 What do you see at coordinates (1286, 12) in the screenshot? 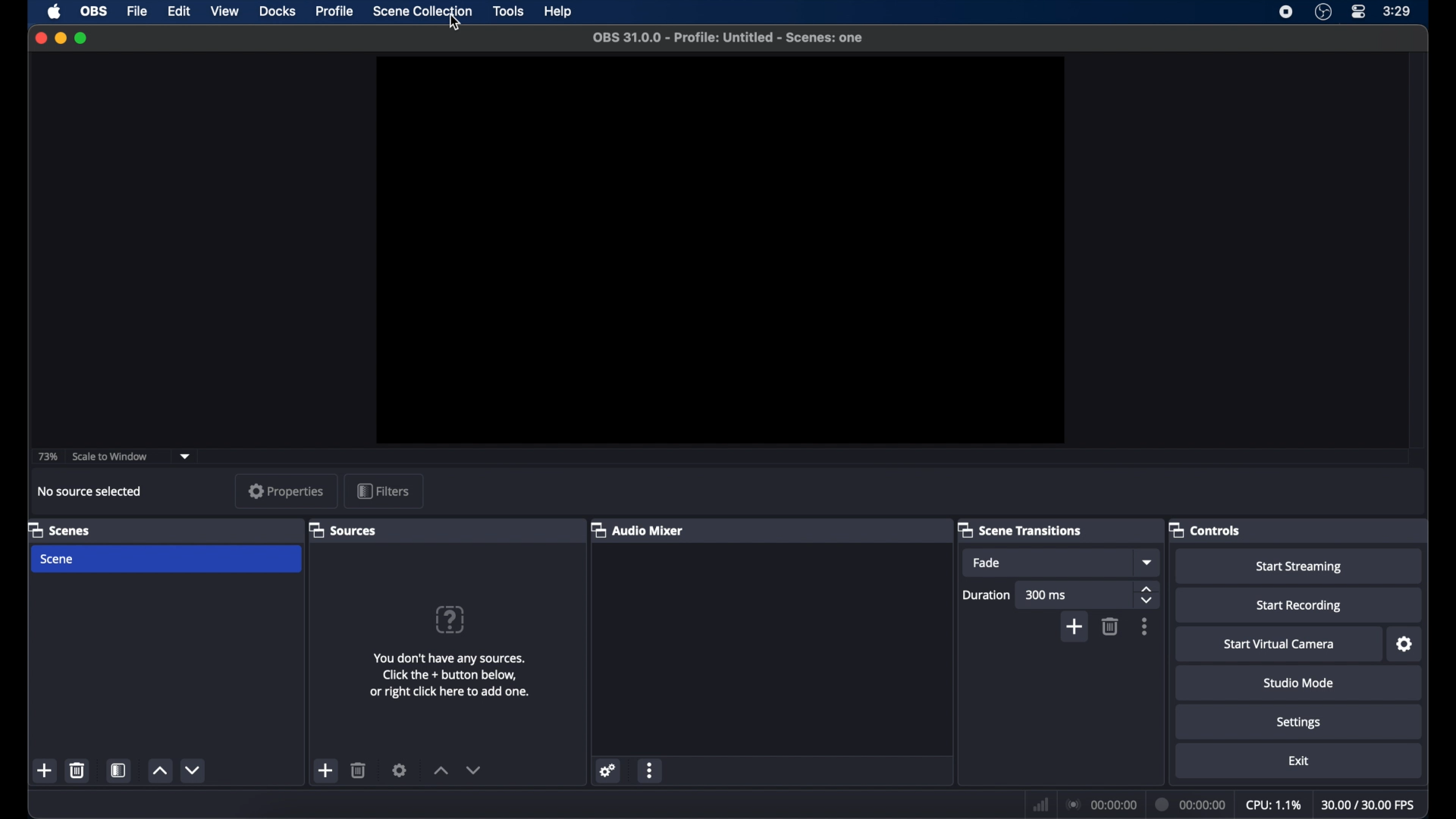
I see `screen recorder` at bounding box center [1286, 12].